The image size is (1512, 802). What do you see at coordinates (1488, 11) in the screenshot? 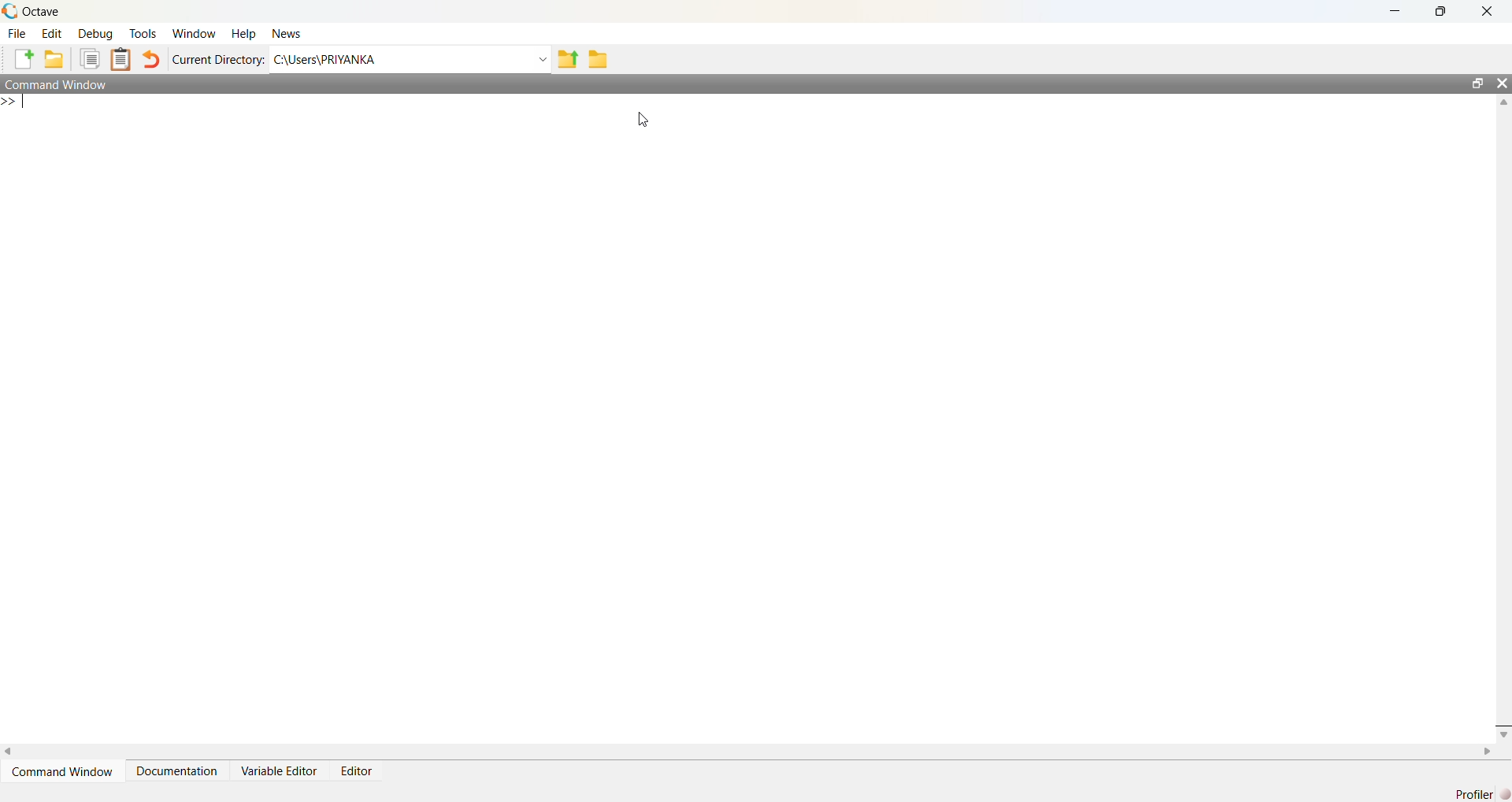
I see `close` at bounding box center [1488, 11].